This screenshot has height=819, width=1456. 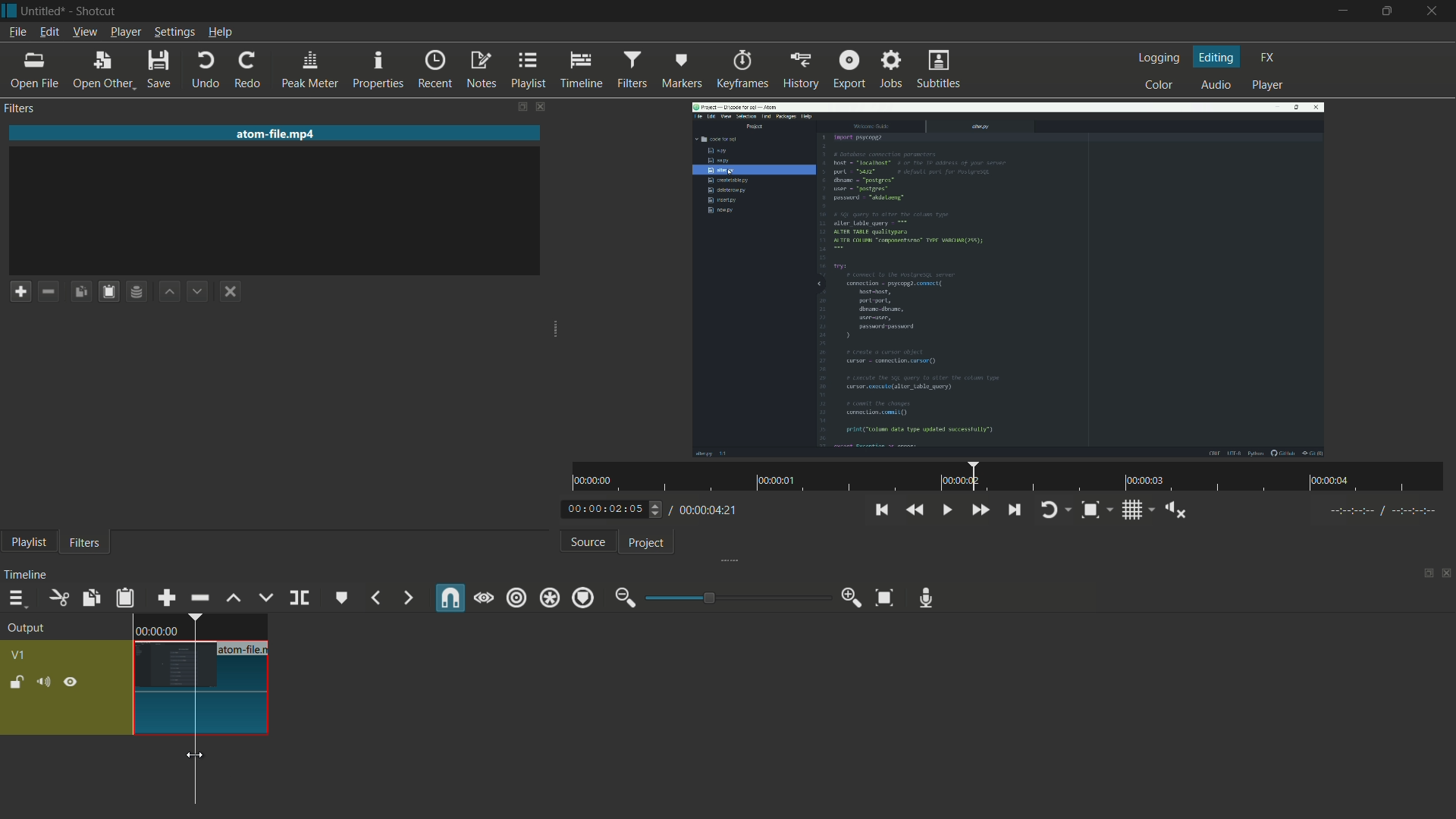 I want to click on add a filter, so click(x=21, y=293).